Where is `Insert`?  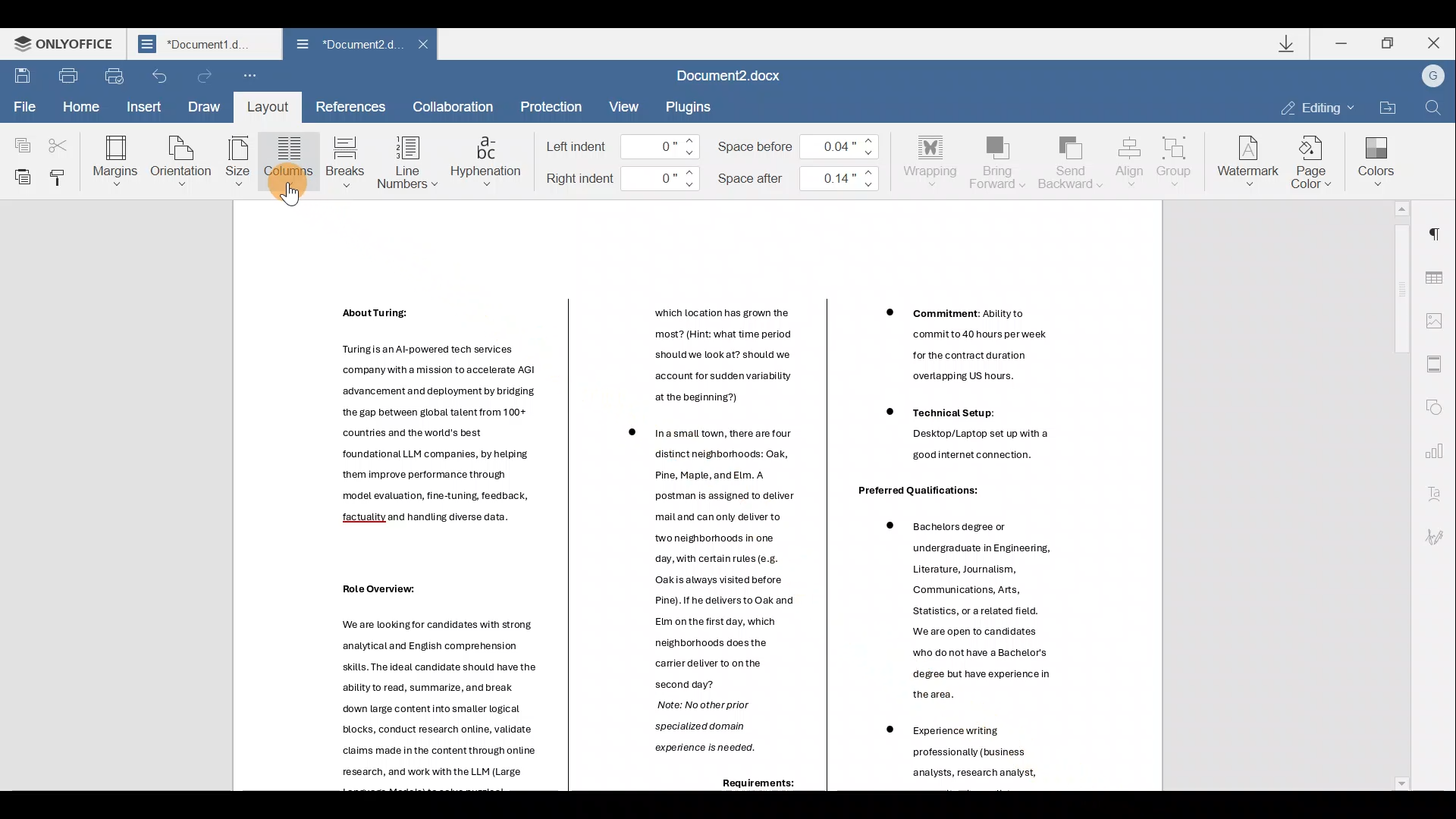
Insert is located at coordinates (141, 107).